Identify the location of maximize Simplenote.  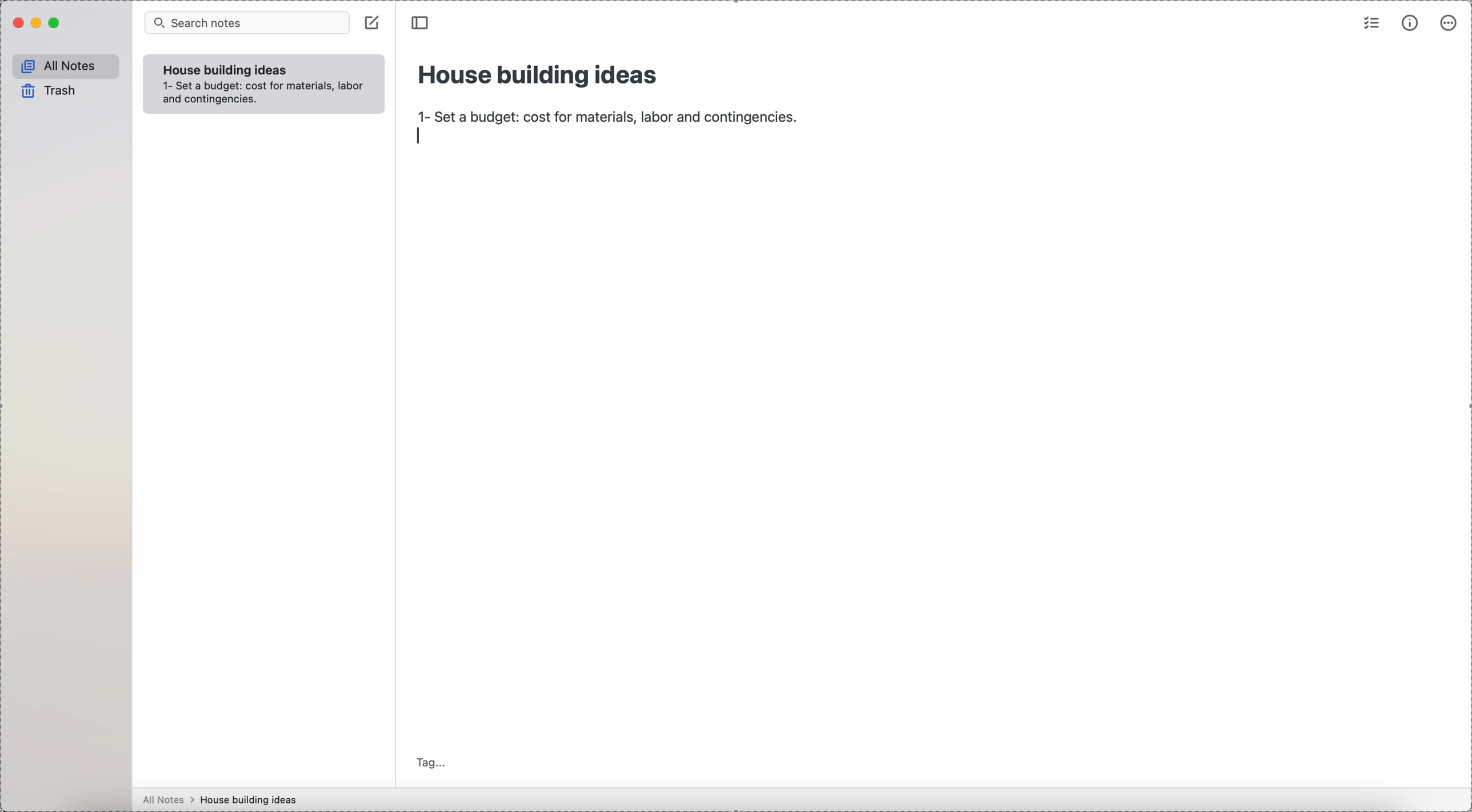
(58, 24).